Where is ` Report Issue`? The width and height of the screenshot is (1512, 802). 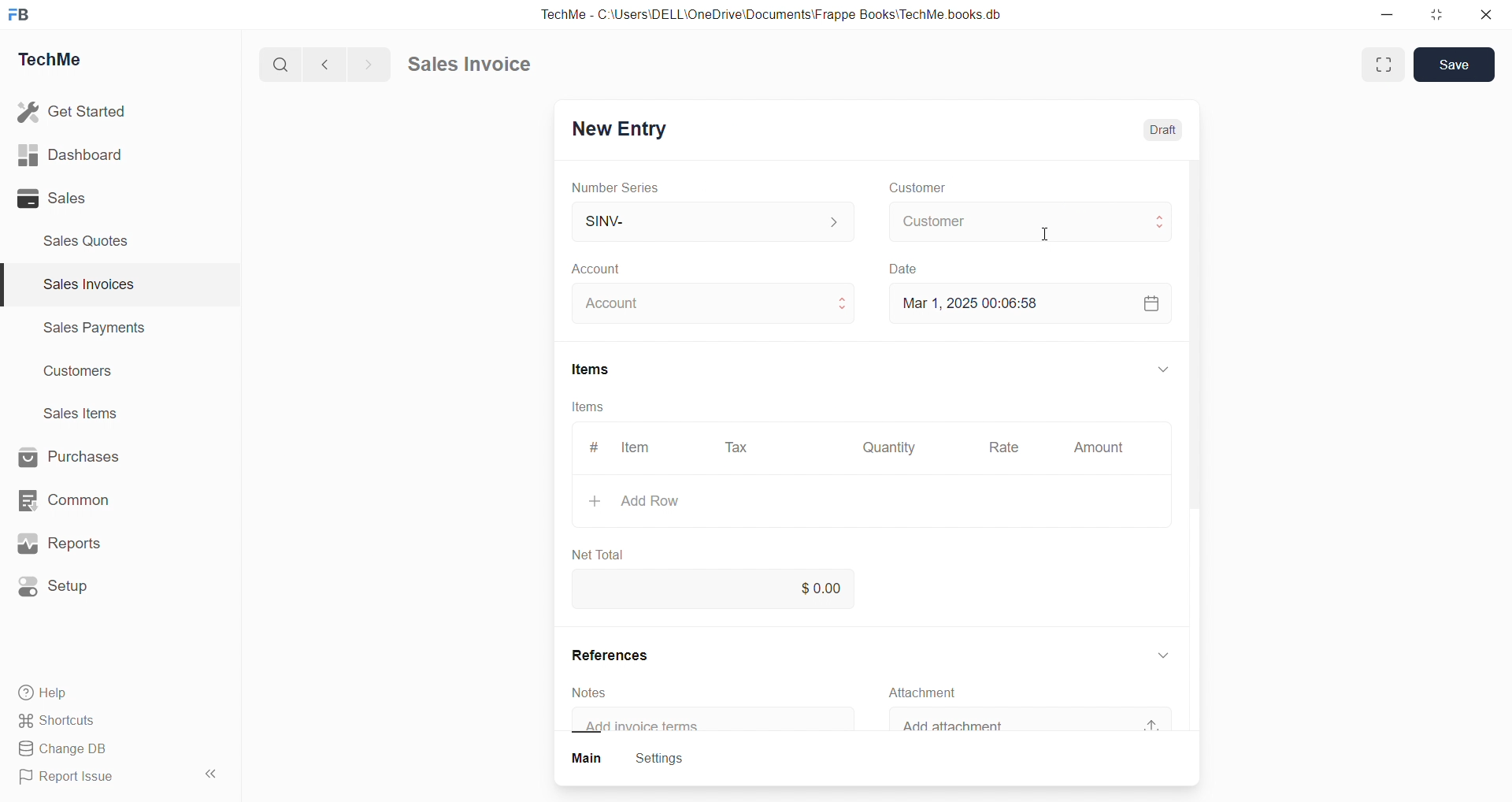  Report Issue is located at coordinates (73, 779).